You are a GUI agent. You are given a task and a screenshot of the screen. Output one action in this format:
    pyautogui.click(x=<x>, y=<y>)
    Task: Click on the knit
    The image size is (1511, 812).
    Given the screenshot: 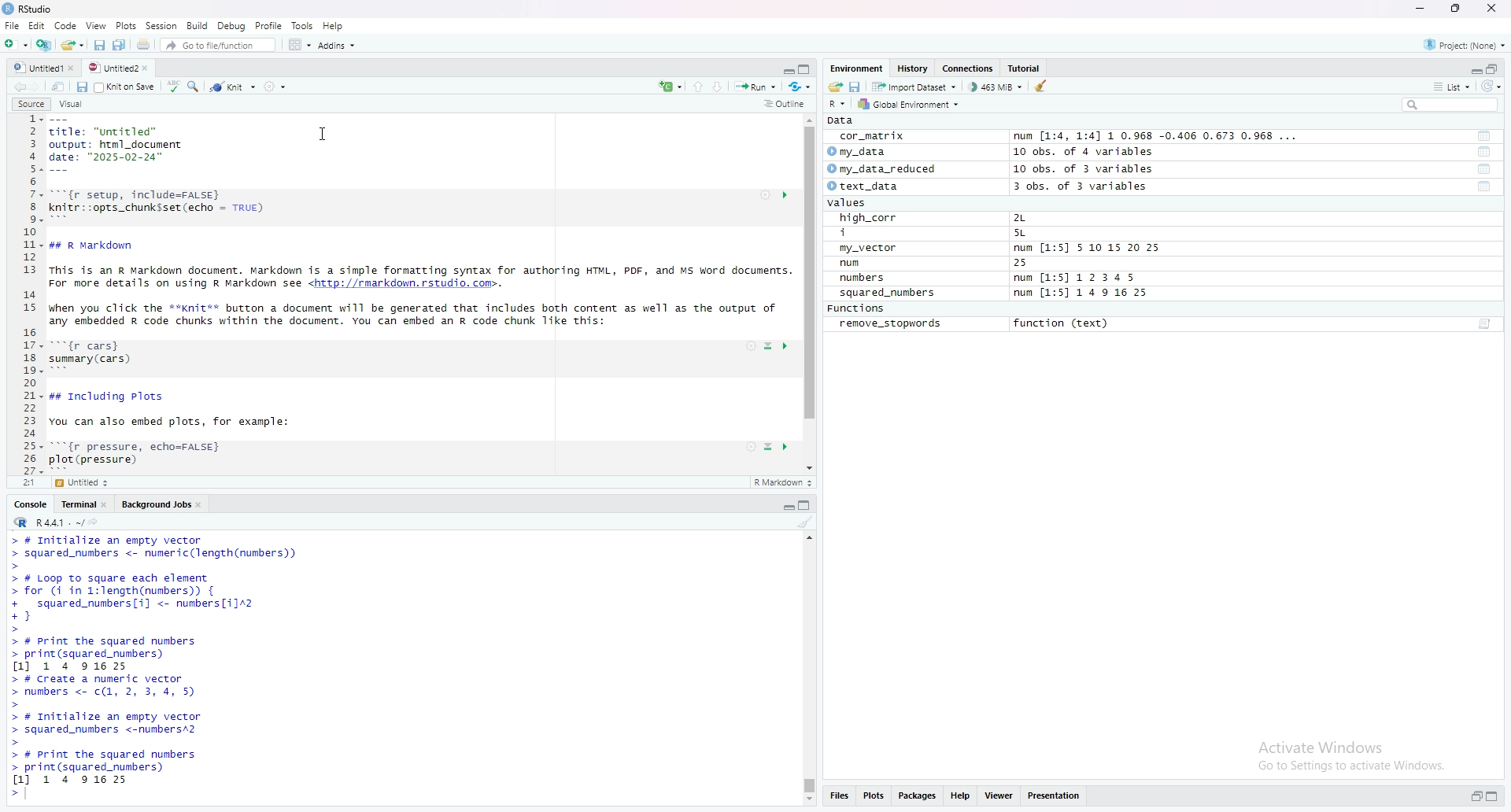 What is the action you would take?
    pyautogui.click(x=235, y=86)
    